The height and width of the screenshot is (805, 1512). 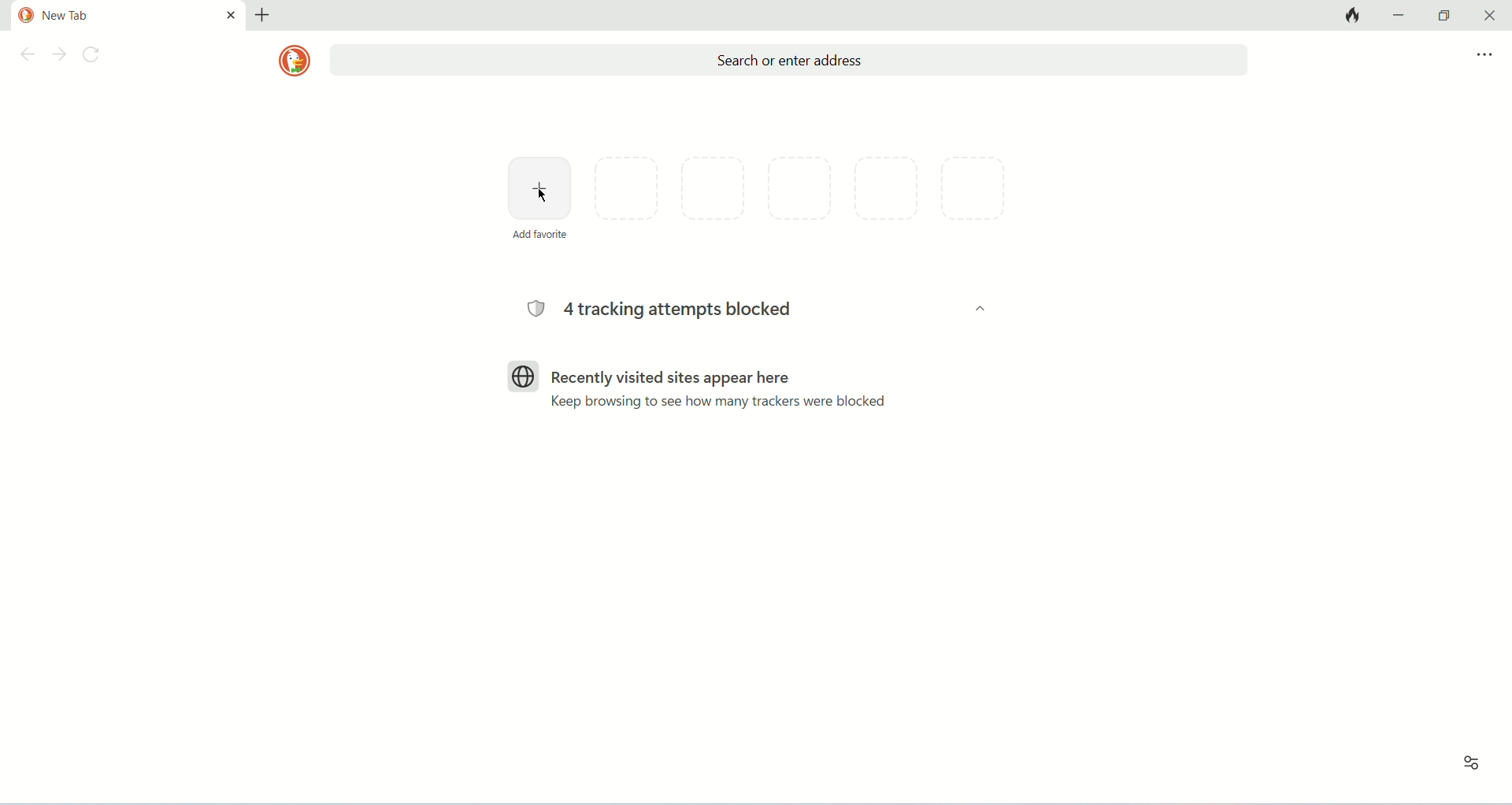 What do you see at coordinates (717, 402) in the screenshot?
I see `keep browsing to see how many trackers were blocked` at bounding box center [717, 402].